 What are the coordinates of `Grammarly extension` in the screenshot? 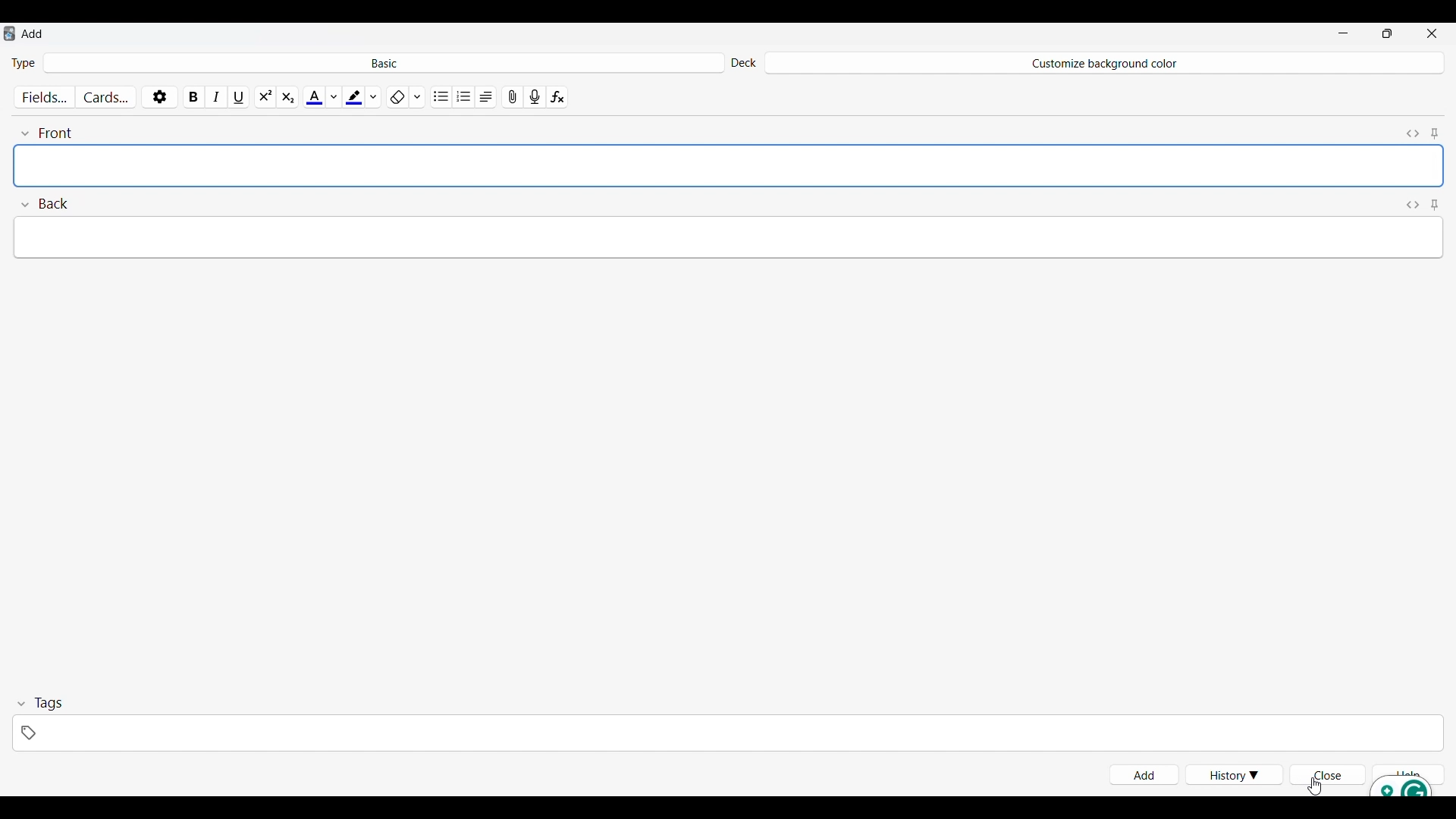 It's located at (1401, 786).